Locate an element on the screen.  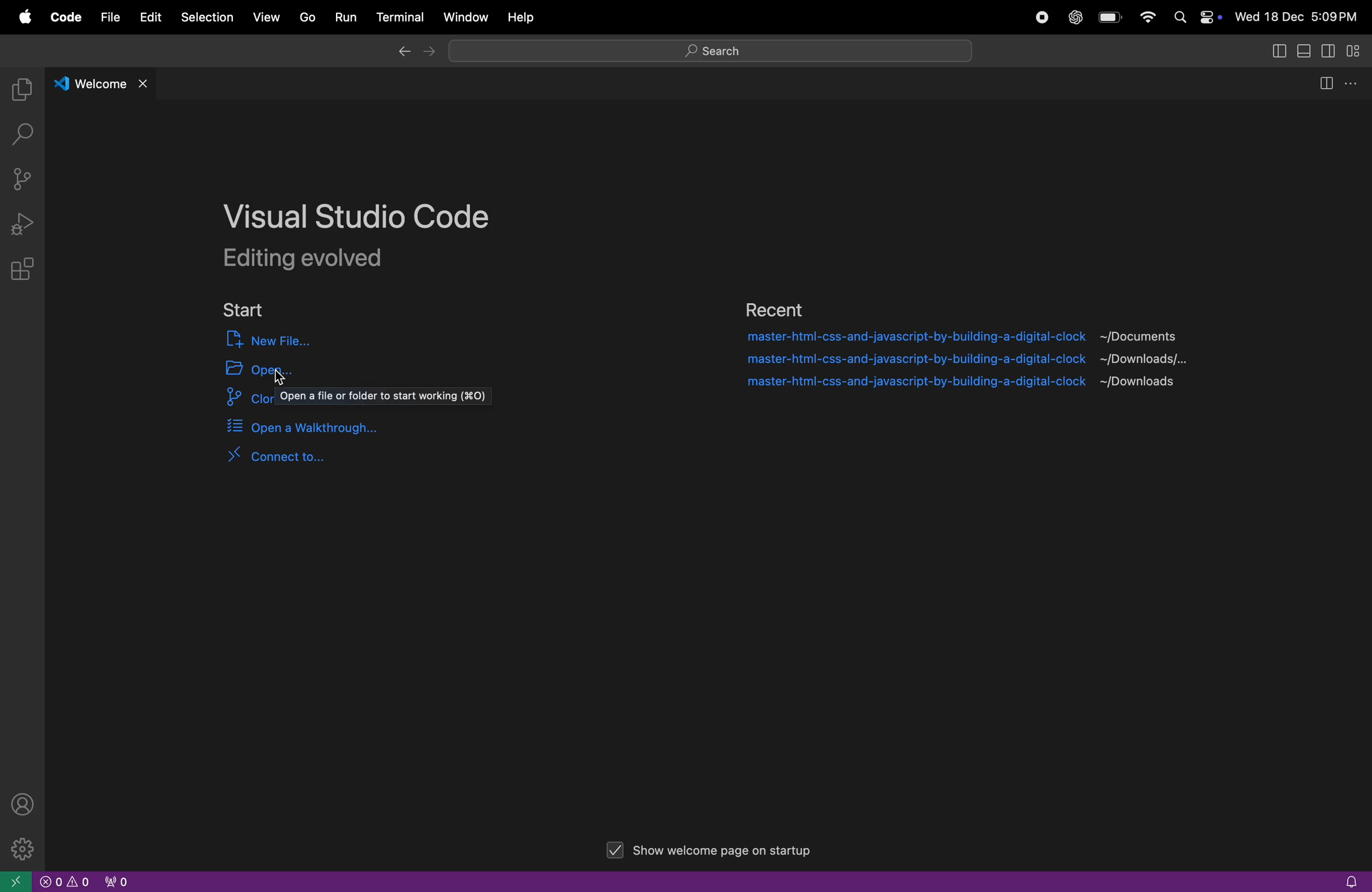
chatgpt is located at coordinates (1075, 18).